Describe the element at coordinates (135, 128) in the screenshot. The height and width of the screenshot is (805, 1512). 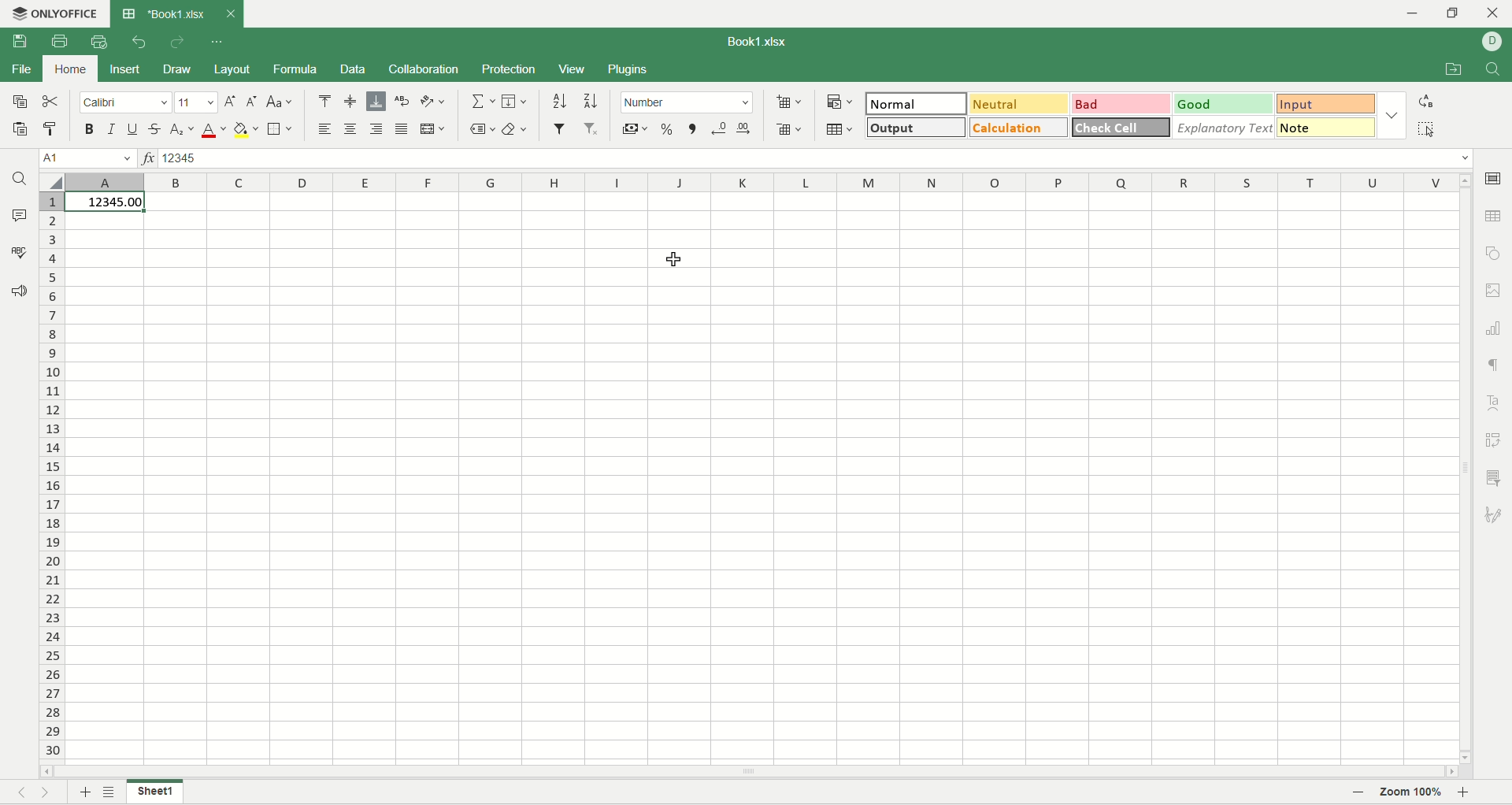
I see `underline` at that location.